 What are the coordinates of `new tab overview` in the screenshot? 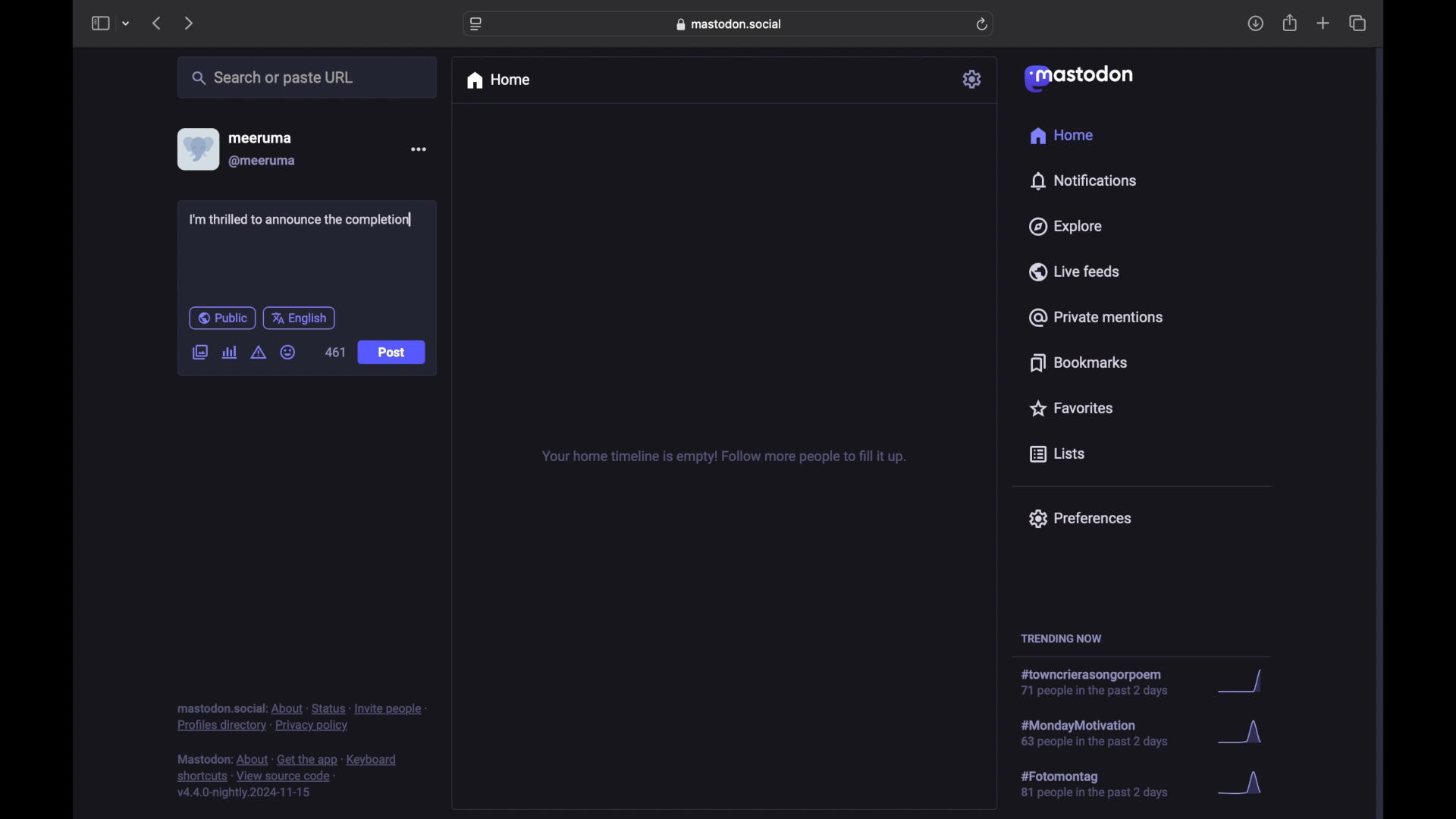 It's located at (1323, 23).